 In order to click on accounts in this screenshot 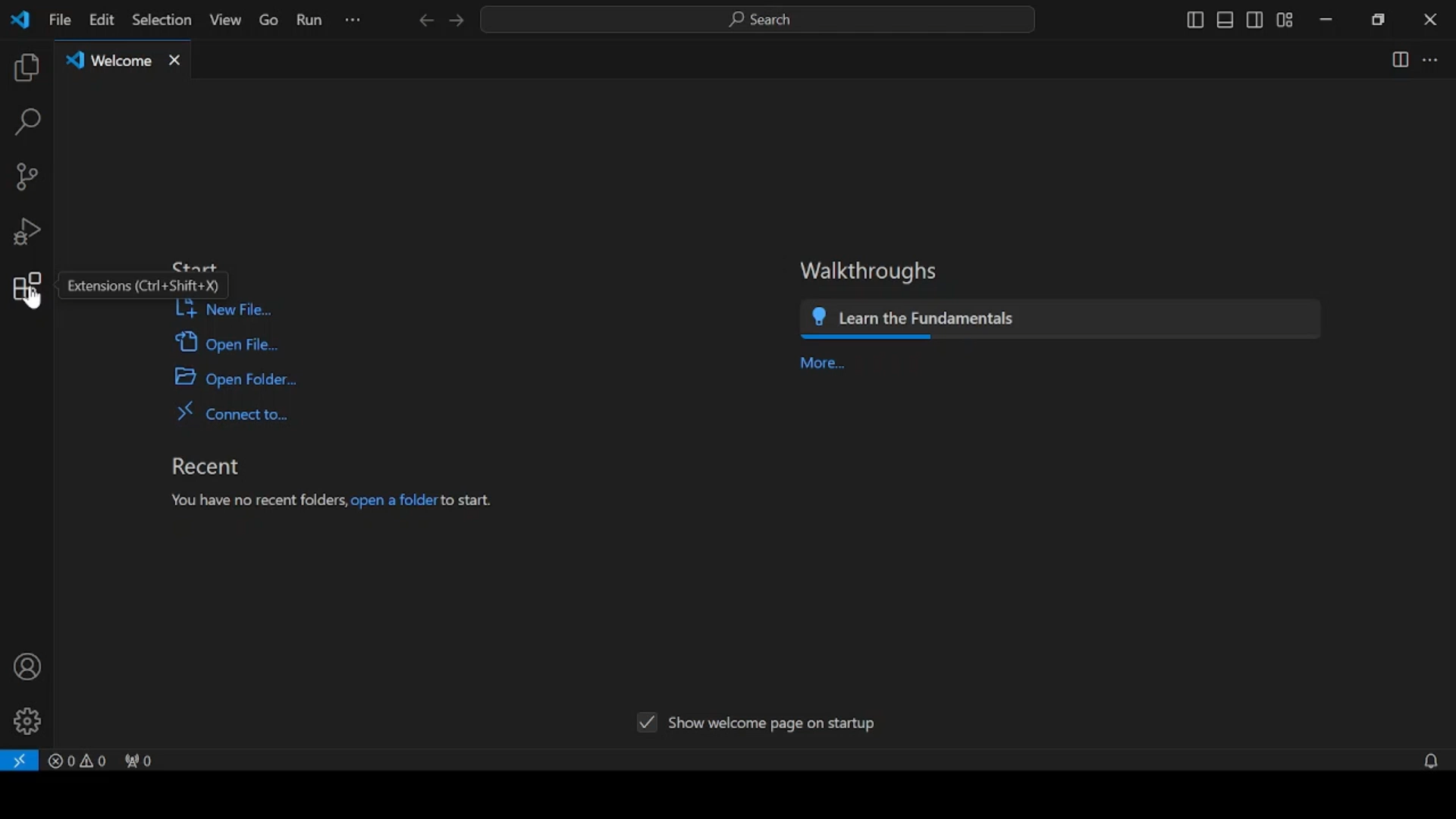, I will do `click(24, 665)`.